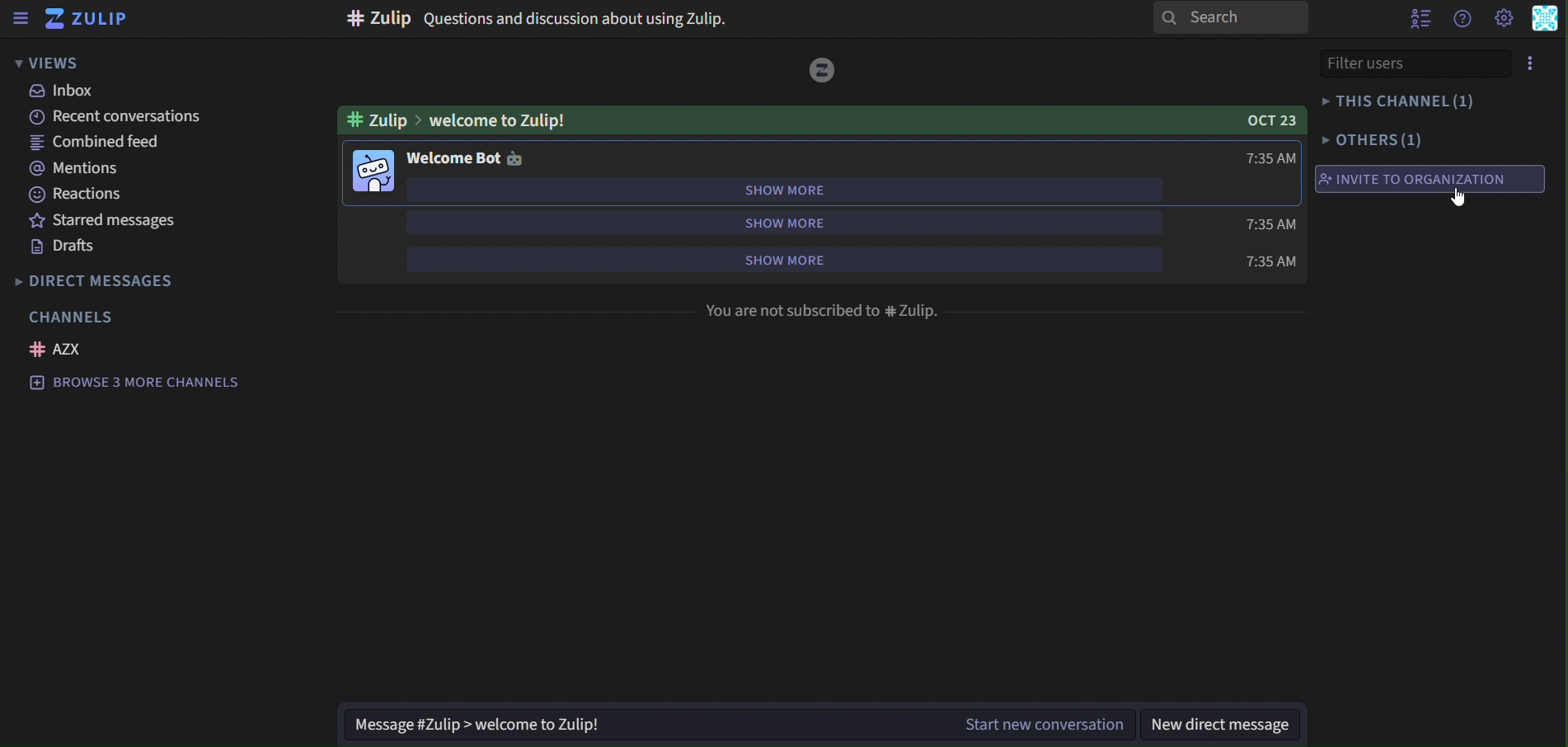  I want to click on personal menu, so click(1543, 21).